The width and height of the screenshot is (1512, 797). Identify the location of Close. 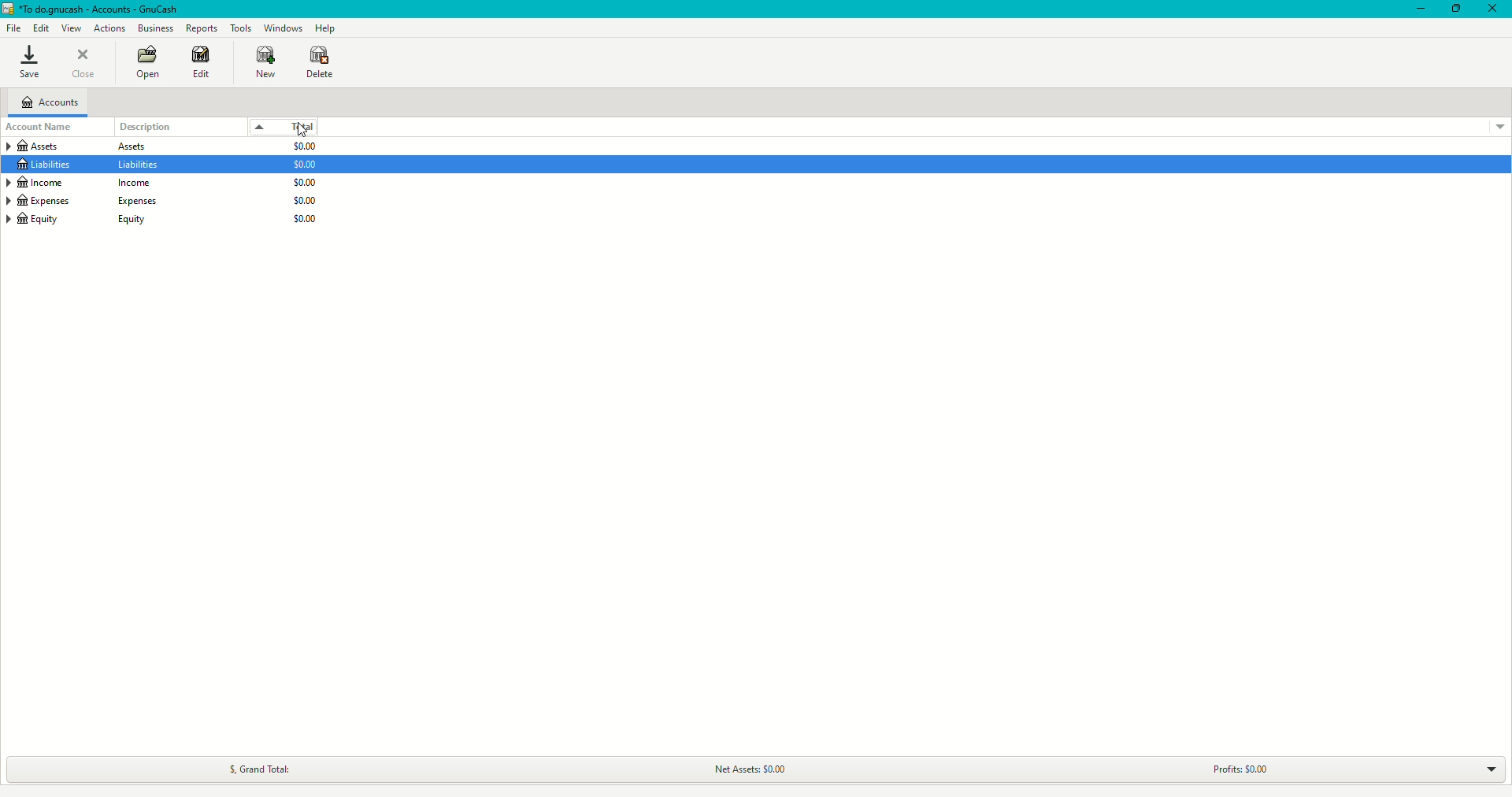
(1495, 9).